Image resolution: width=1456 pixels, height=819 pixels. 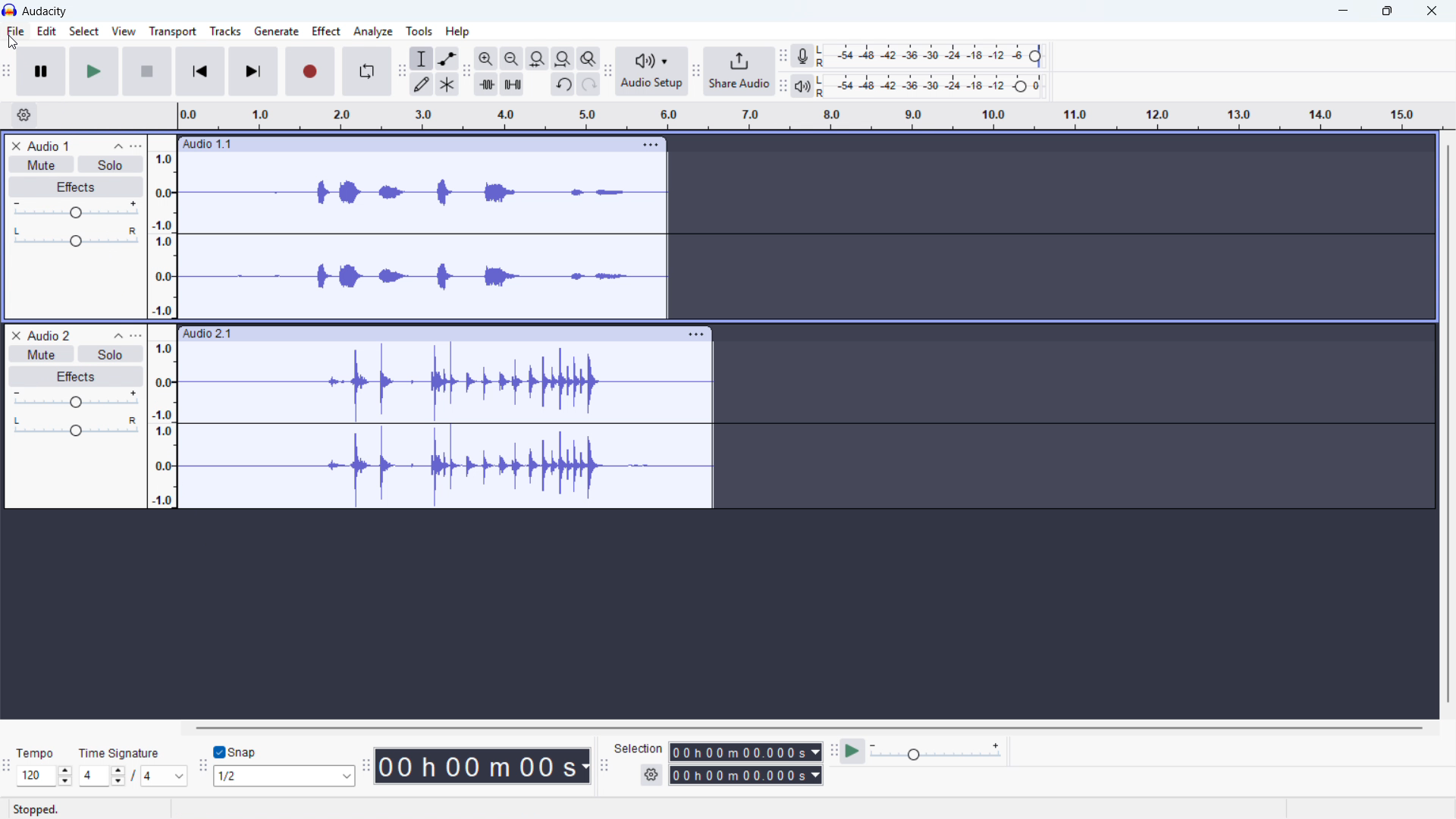 What do you see at coordinates (652, 71) in the screenshot?
I see `Audio setup` at bounding box center [652, 71].